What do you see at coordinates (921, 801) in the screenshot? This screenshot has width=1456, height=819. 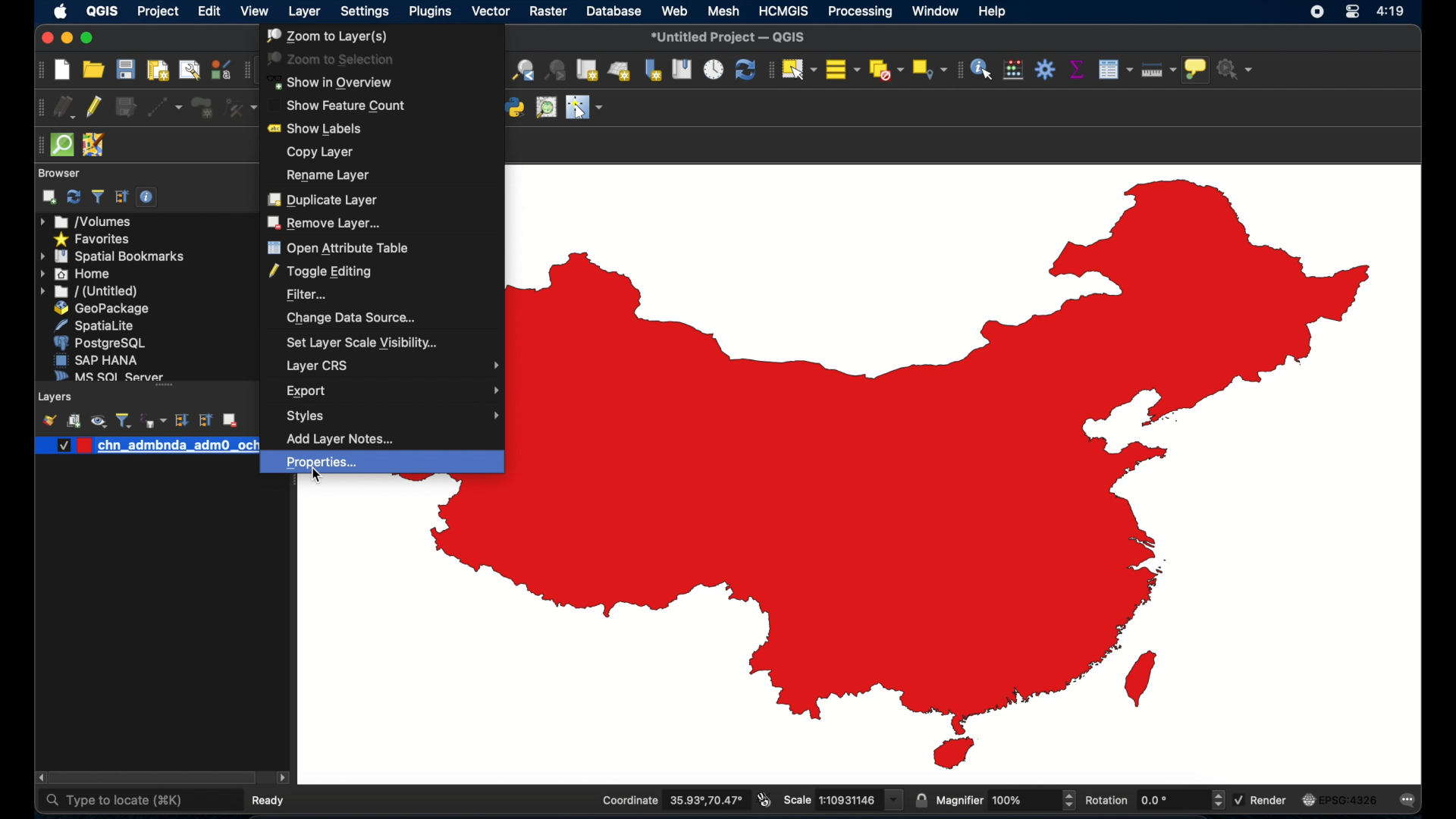 I see `lock scale` at bounding box center [921, 801].